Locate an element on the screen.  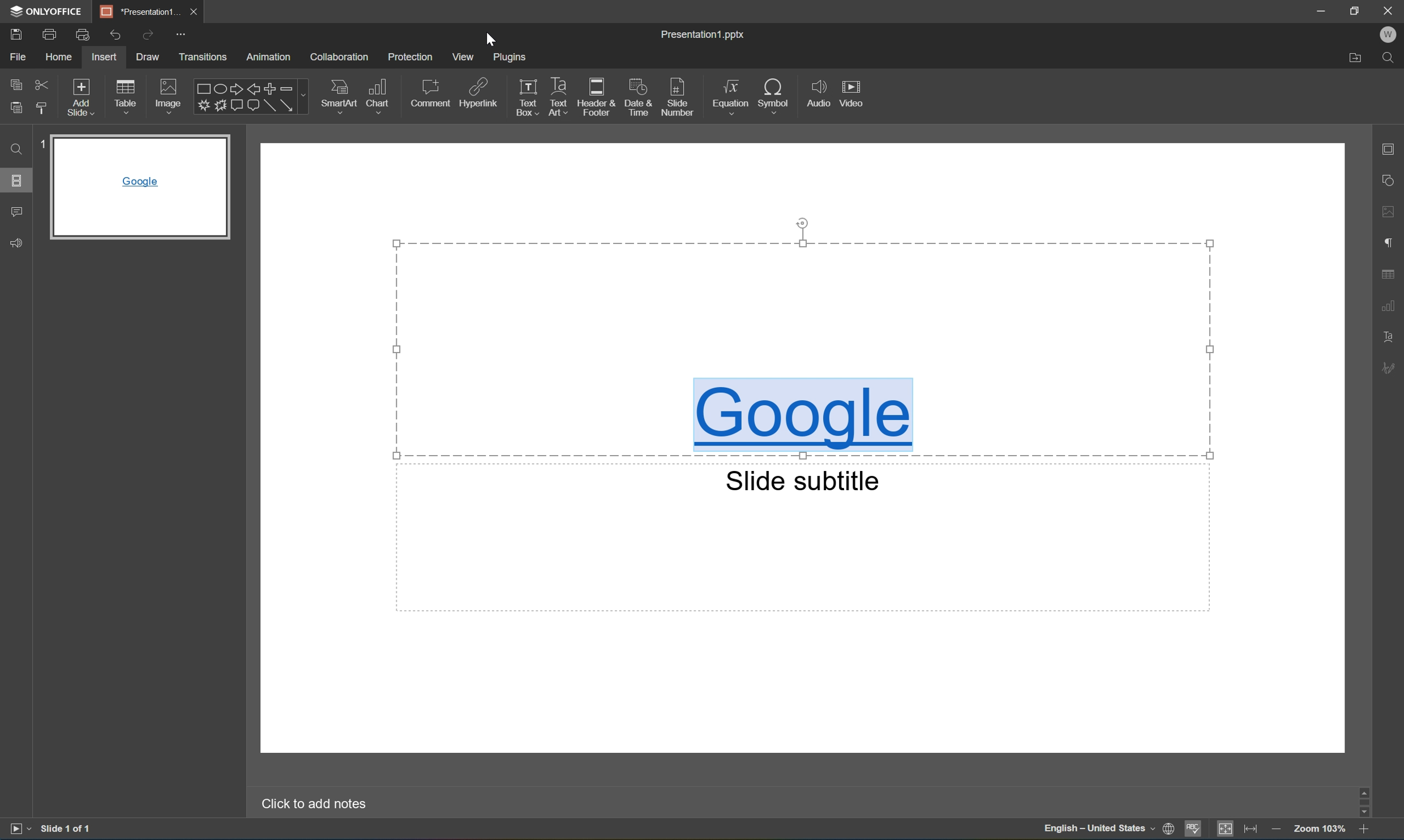
Print file is located at coordinates (50, 36).